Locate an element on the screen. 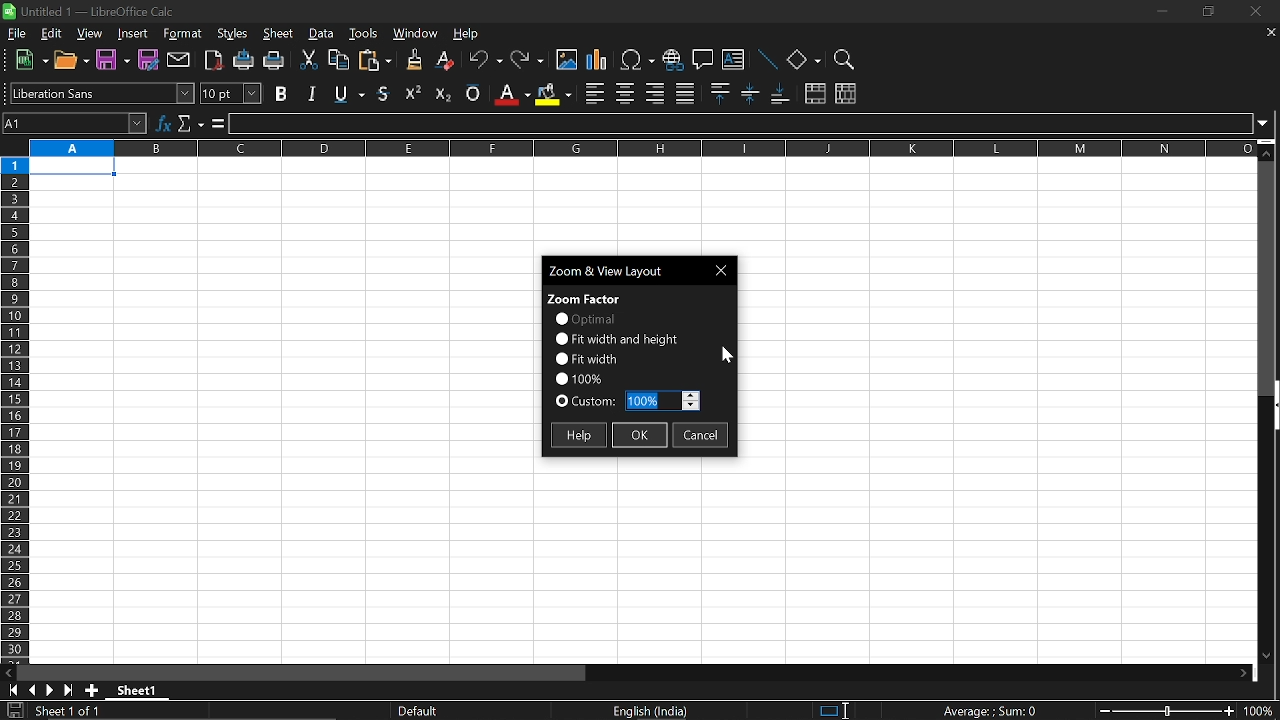 This screenshot has height=720, width=1280. format is located at coordinates (182, 35).